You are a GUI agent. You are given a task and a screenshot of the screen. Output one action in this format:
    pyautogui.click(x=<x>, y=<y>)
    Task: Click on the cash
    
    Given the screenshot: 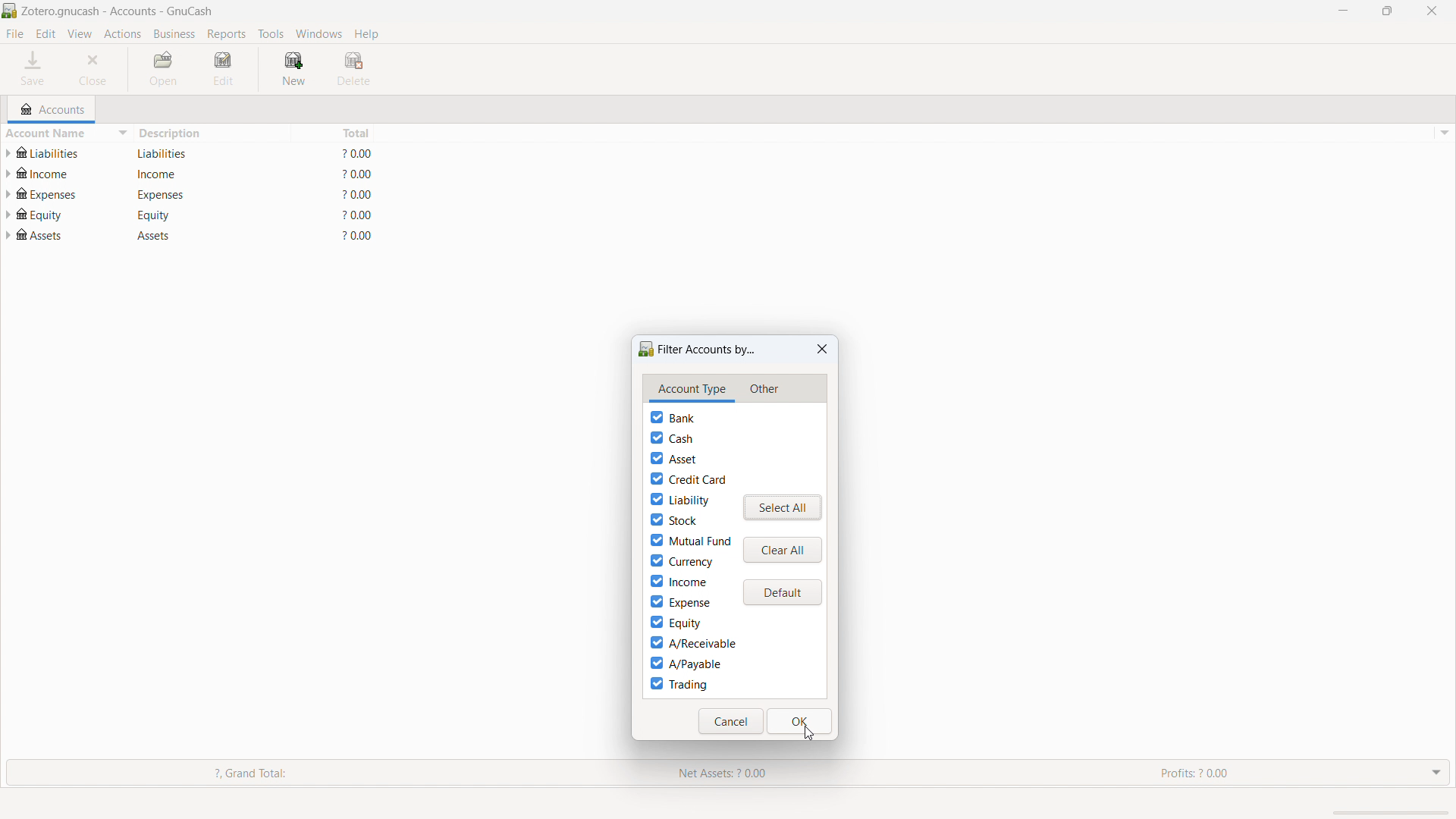 What is the action you would take?
    pyautogui.click(x=671, y=438)
    